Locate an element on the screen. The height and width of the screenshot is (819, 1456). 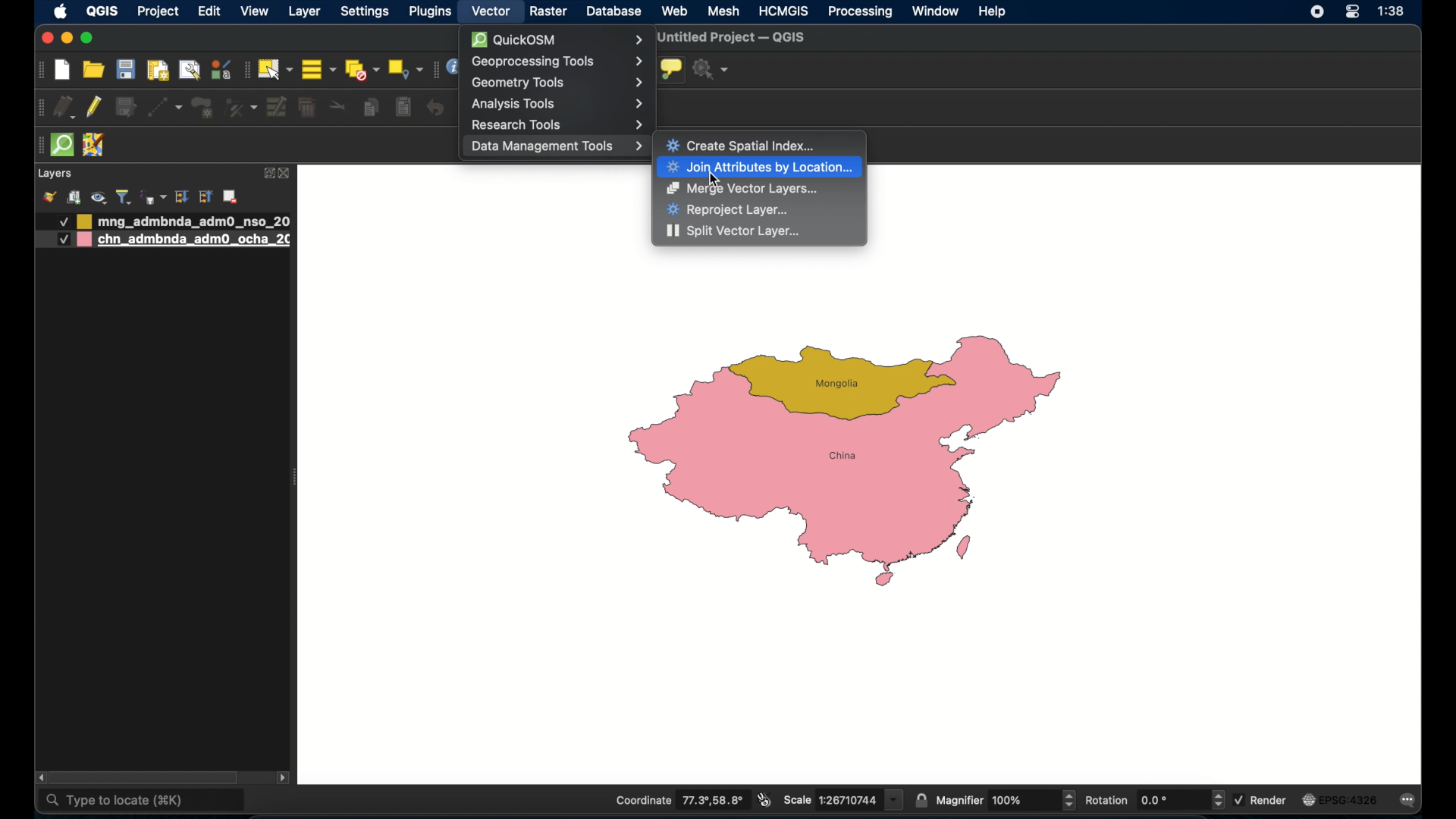
open layer styling panel is located at coordinates (49, 197).